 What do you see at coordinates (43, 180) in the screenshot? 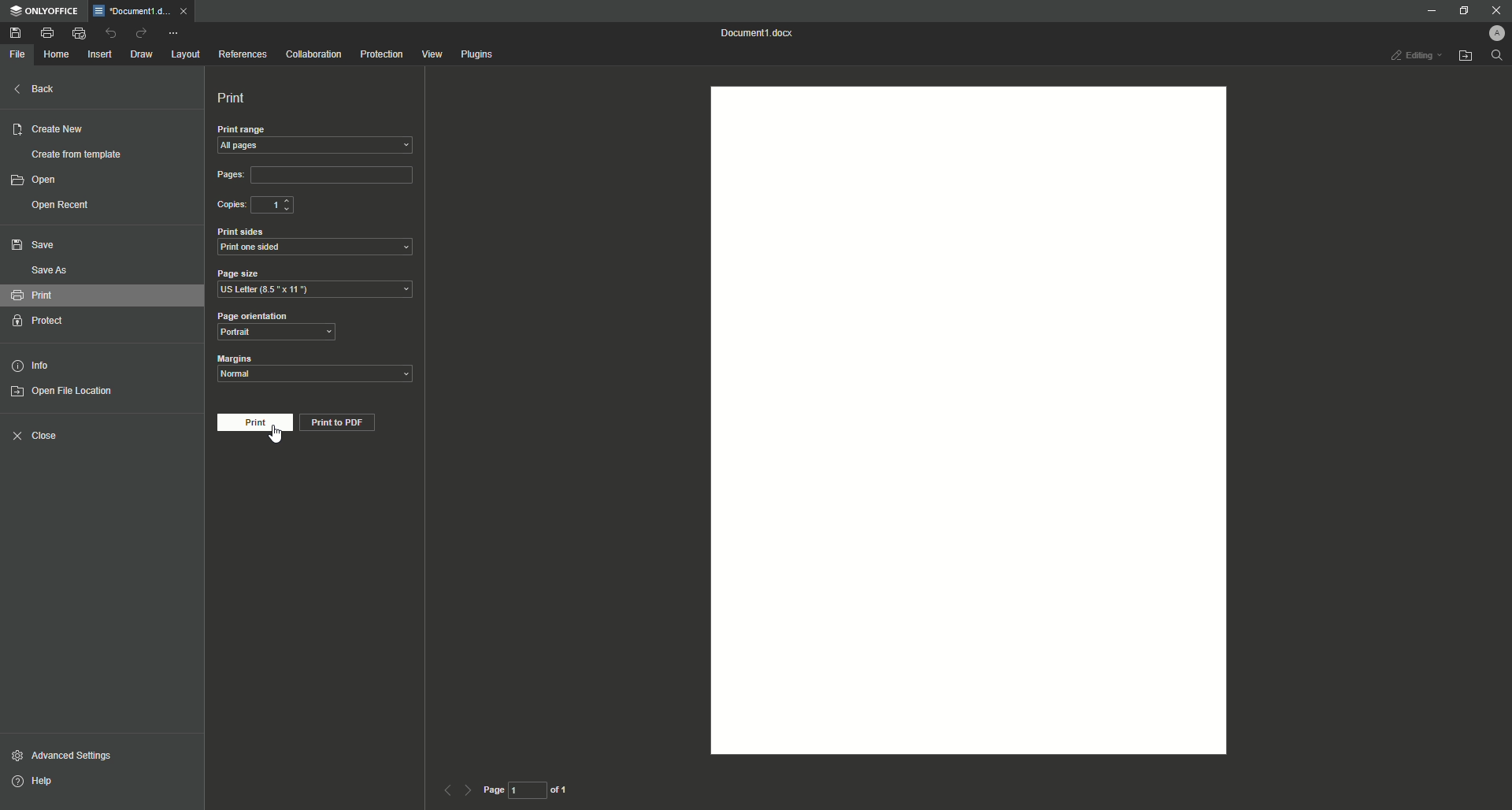
I see `Open` at bounding box center [43, 180].